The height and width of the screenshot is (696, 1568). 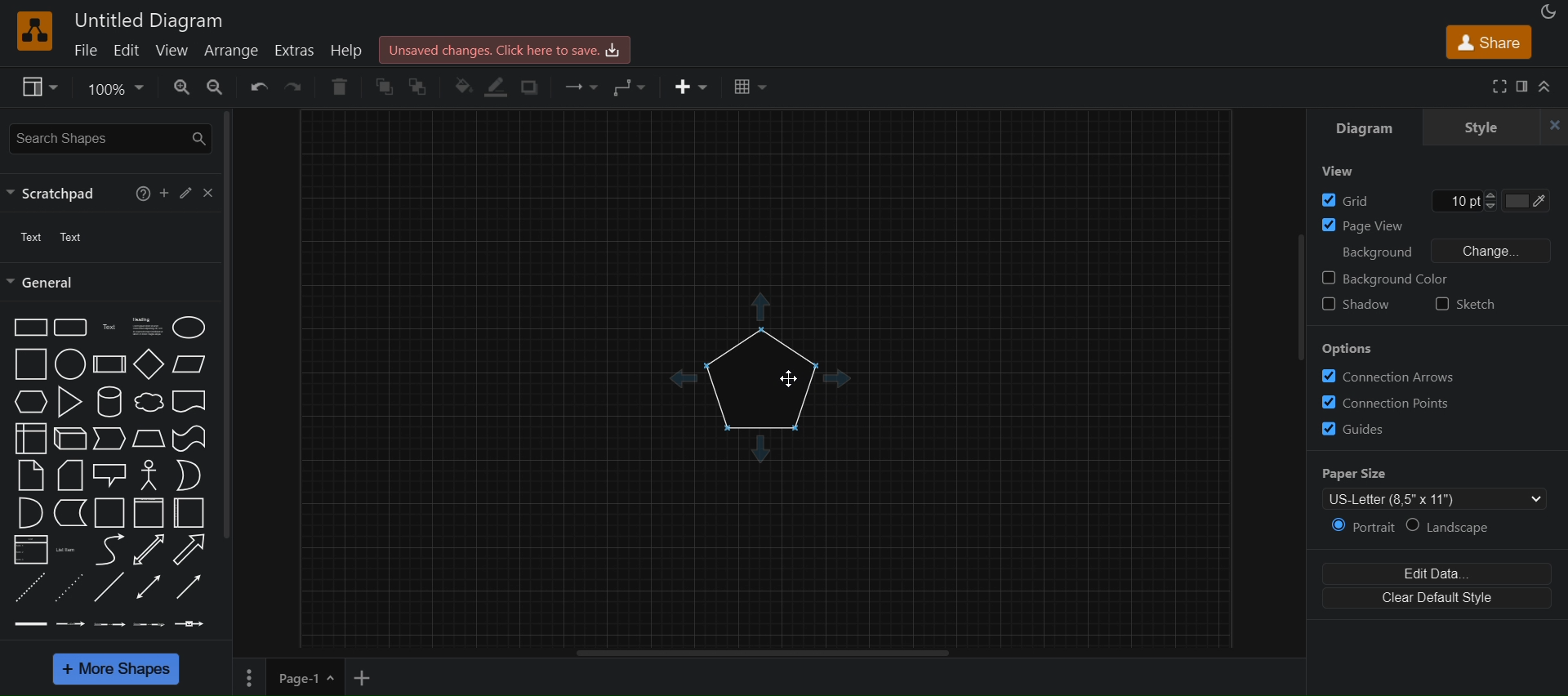 I want to click on Line, so click(x=109, y=587).